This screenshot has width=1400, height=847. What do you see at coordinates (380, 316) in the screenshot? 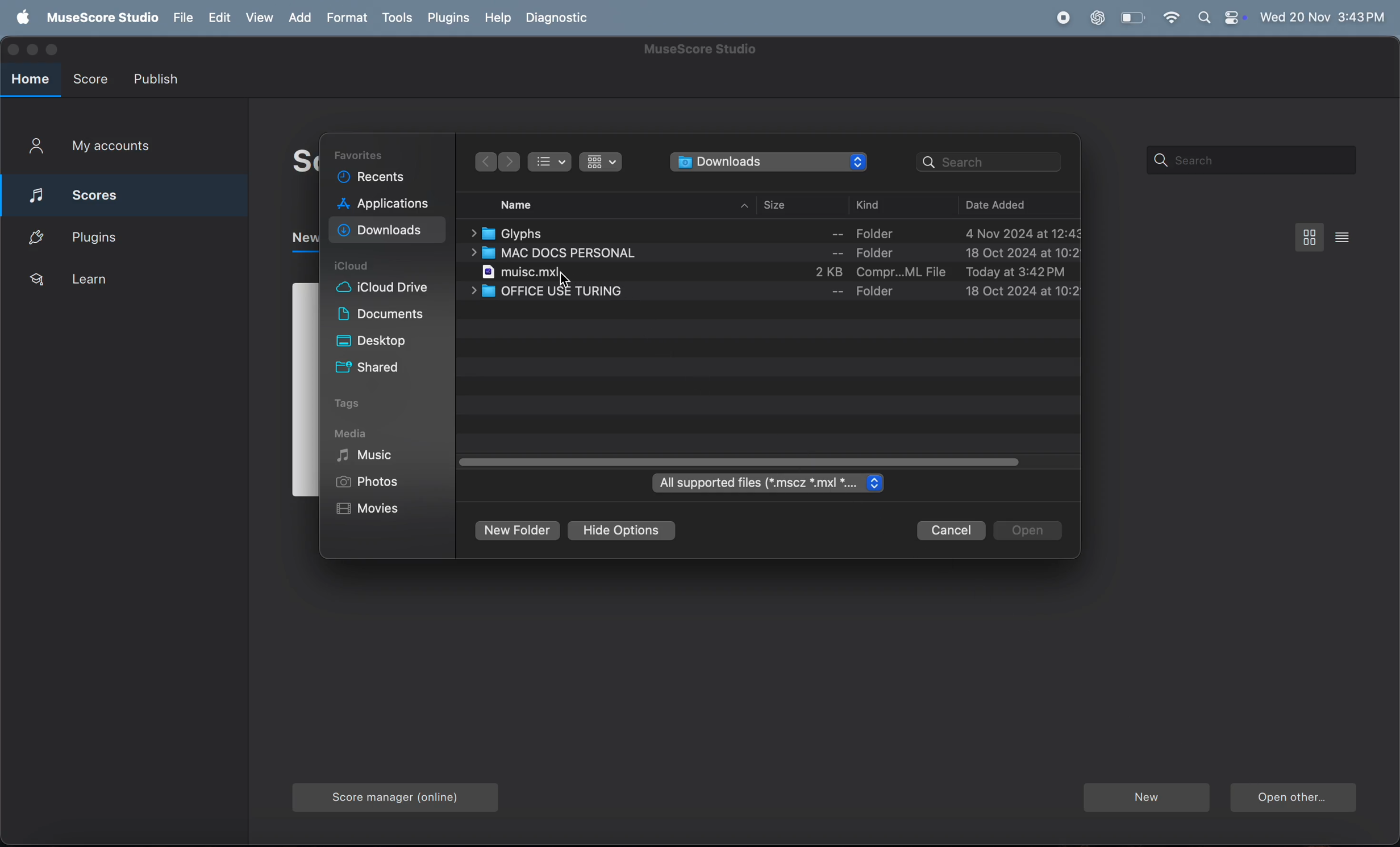
I see `documents` at bounding box center [380, 316].